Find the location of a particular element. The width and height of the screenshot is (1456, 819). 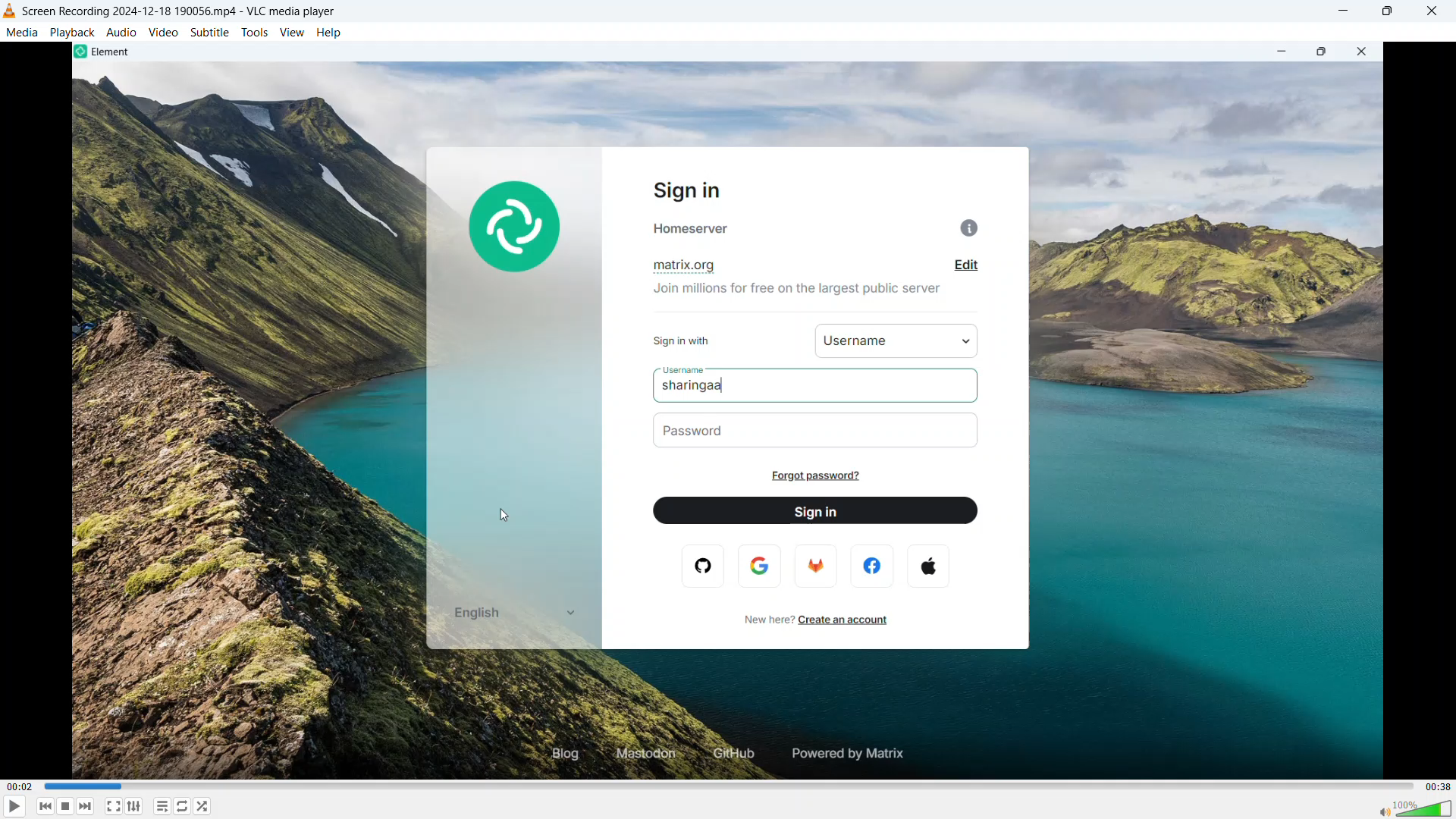

Stop playing  is located at coordinates (46, 806).